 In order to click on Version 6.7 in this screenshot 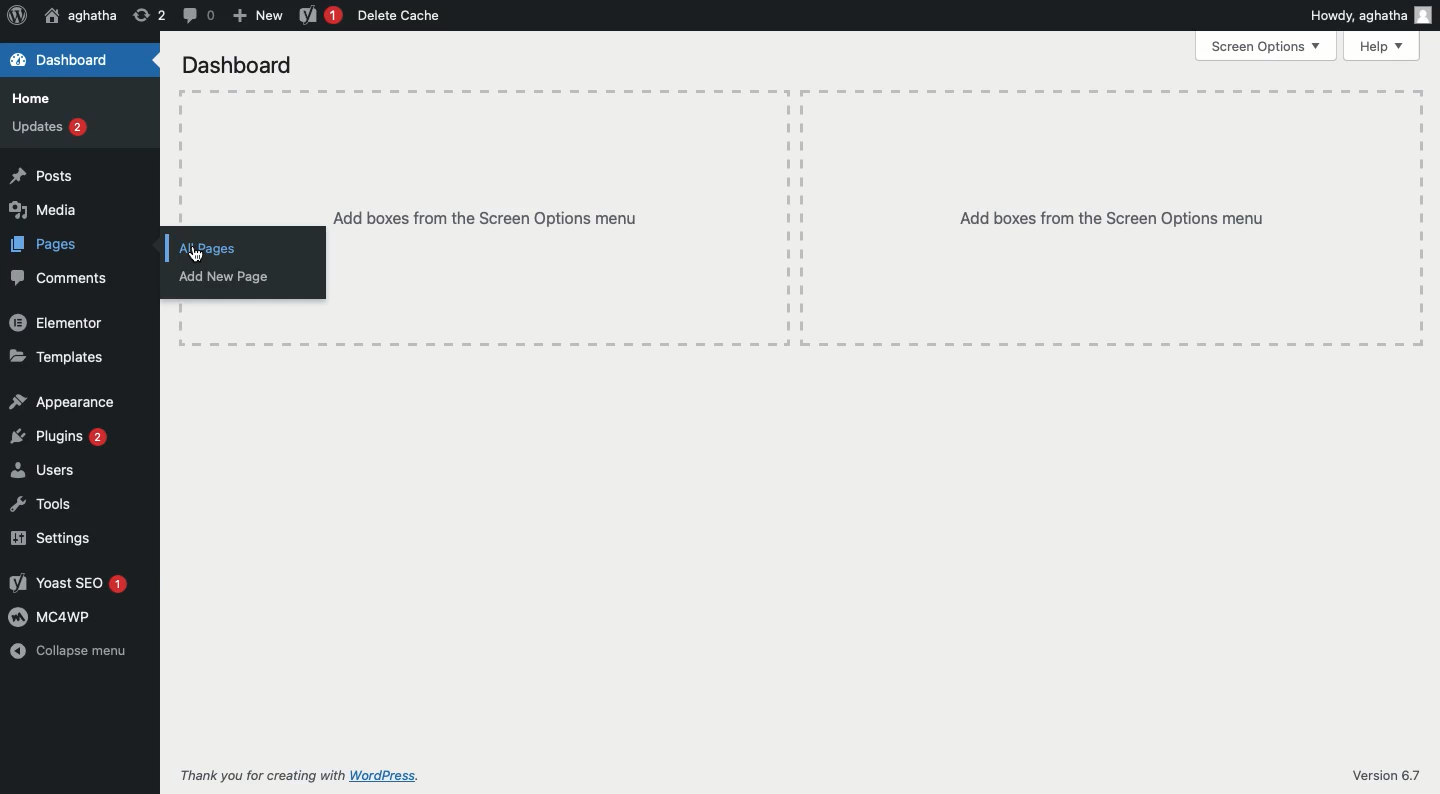, I will do `click(1387, 776)`.